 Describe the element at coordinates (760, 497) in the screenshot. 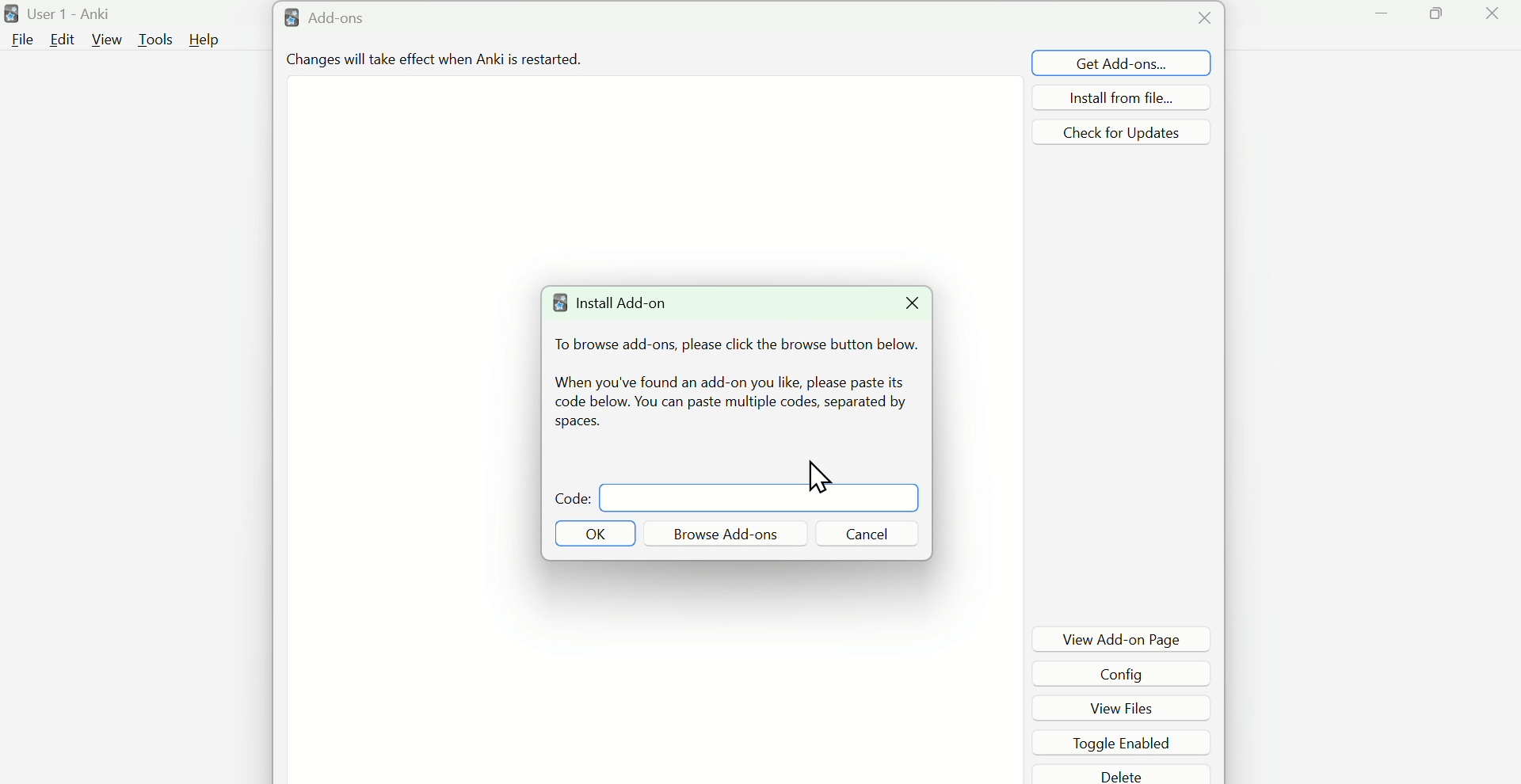

I see `Code area` at that location.